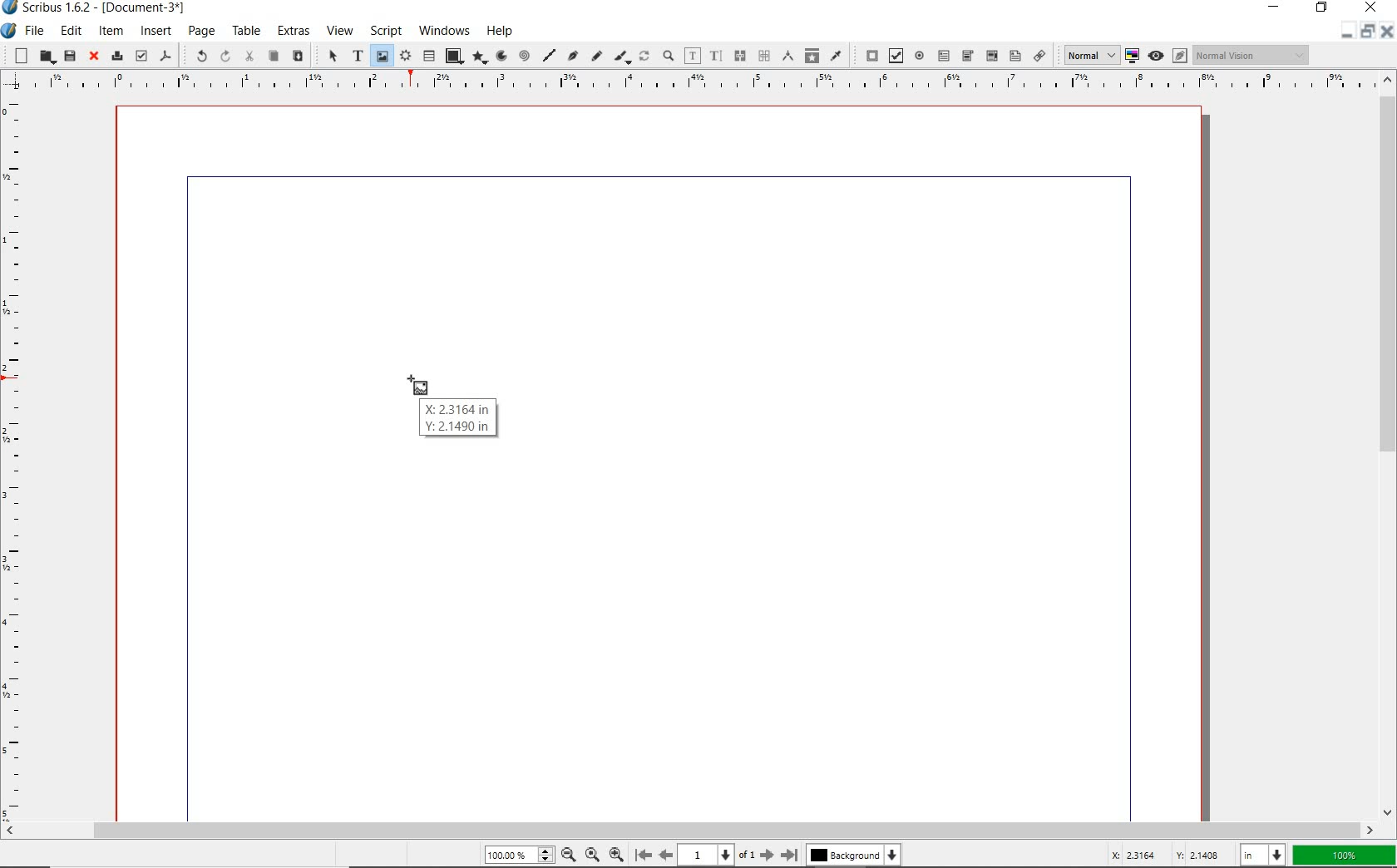 The width and height of the screenshot is (1397, 868). Describe the element at coordinates (1014, 55) in the screenshot. I see `pdf list box` at that location.